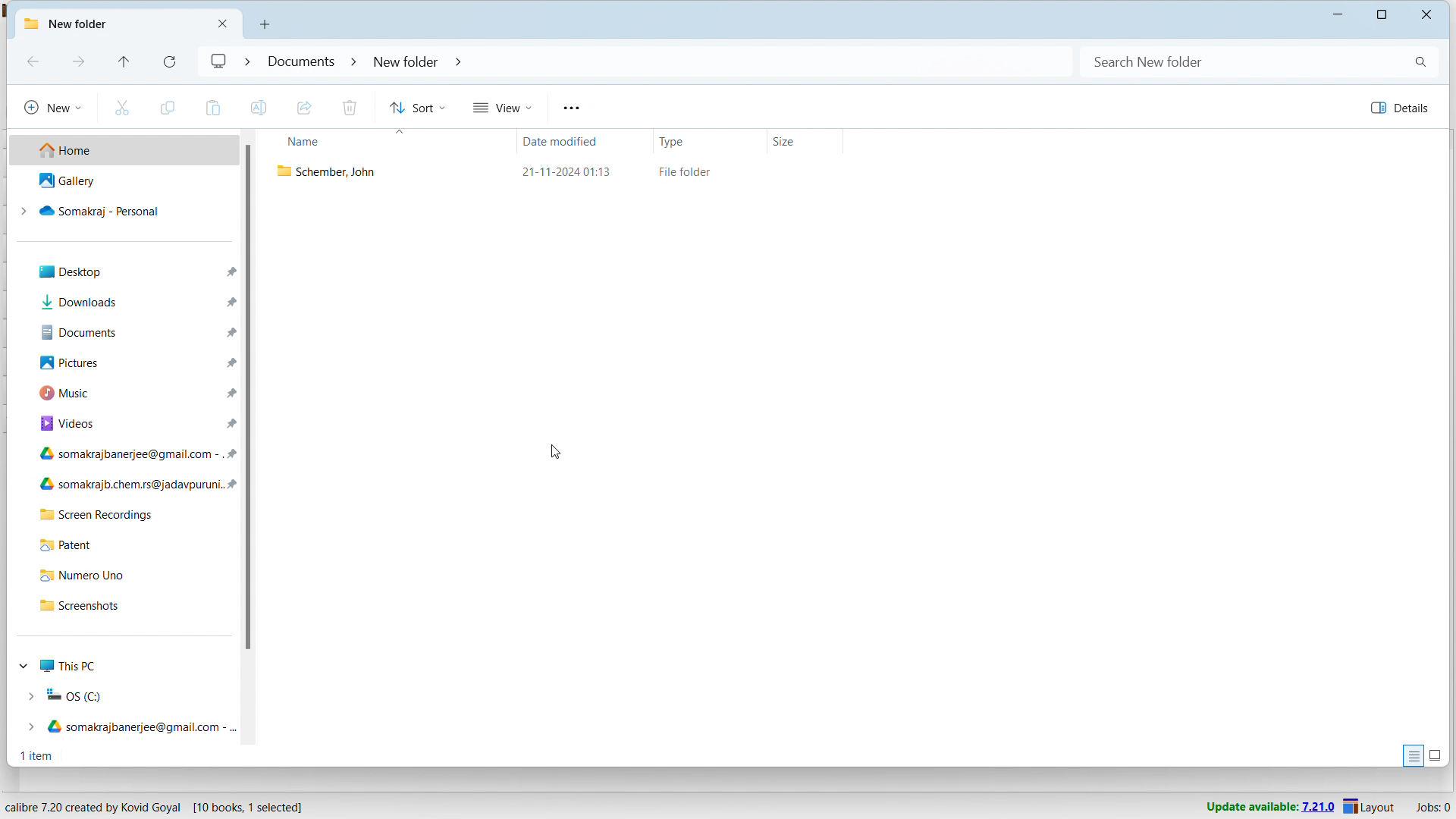 Image resolution: width=1456 pixels, height=819 pixels. I want to click on sort, so click(416, 108).